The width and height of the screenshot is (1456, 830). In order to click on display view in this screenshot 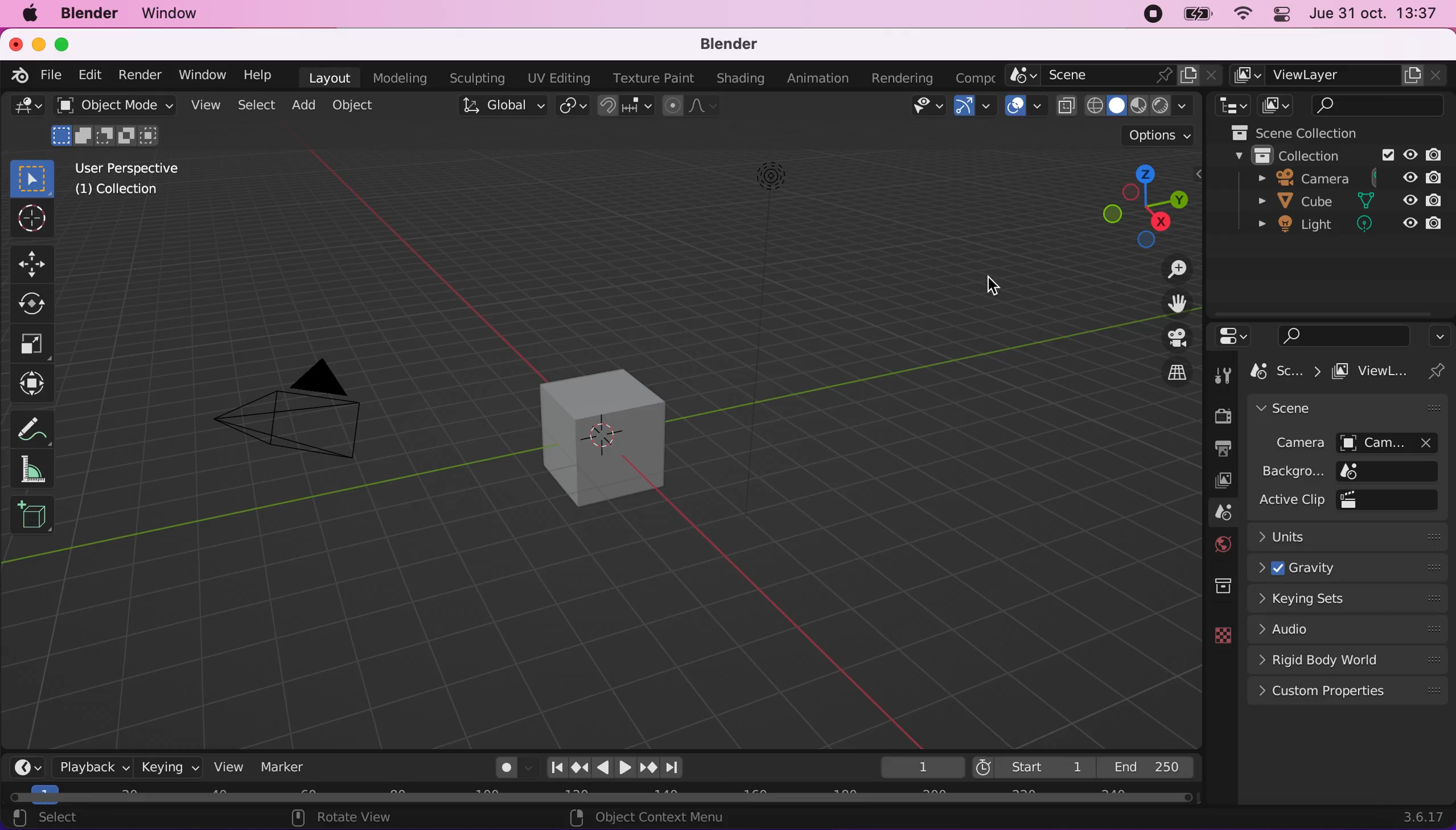, I will do `click(1280, 106)`.